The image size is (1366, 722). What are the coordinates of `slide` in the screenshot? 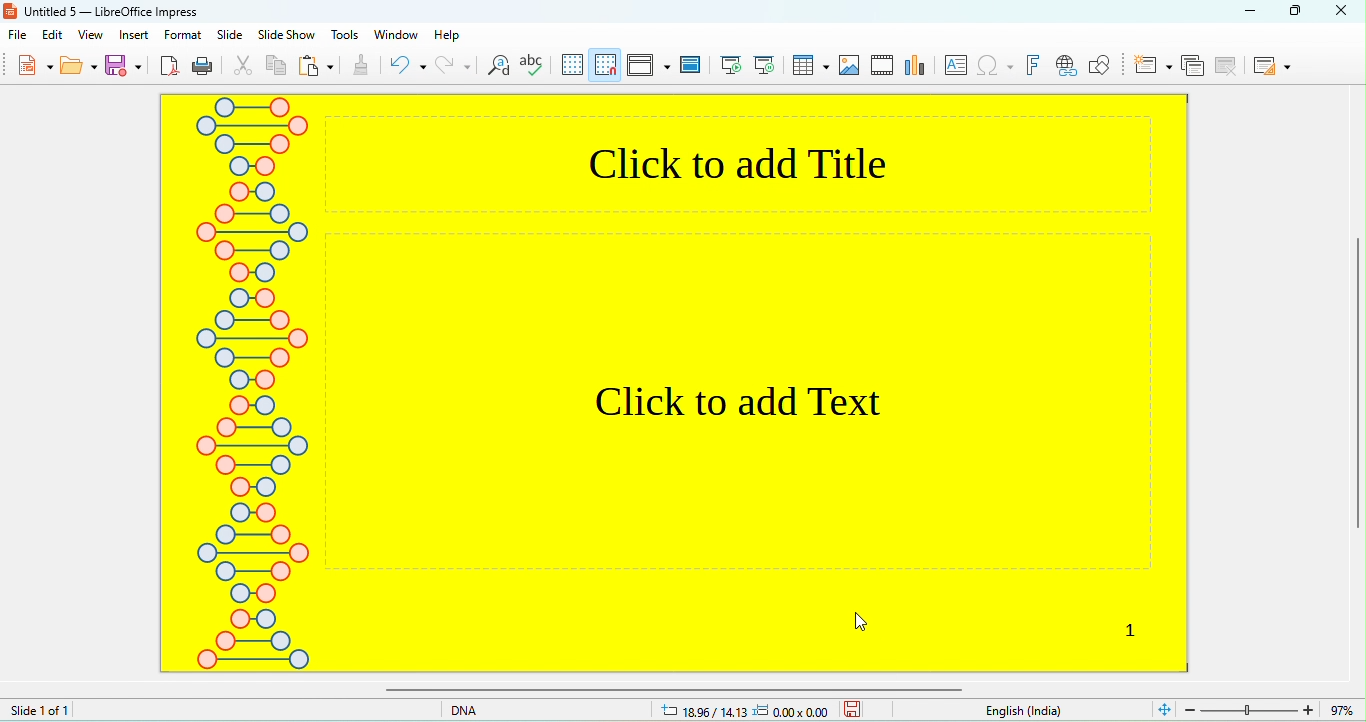 It's located at (230, 35).